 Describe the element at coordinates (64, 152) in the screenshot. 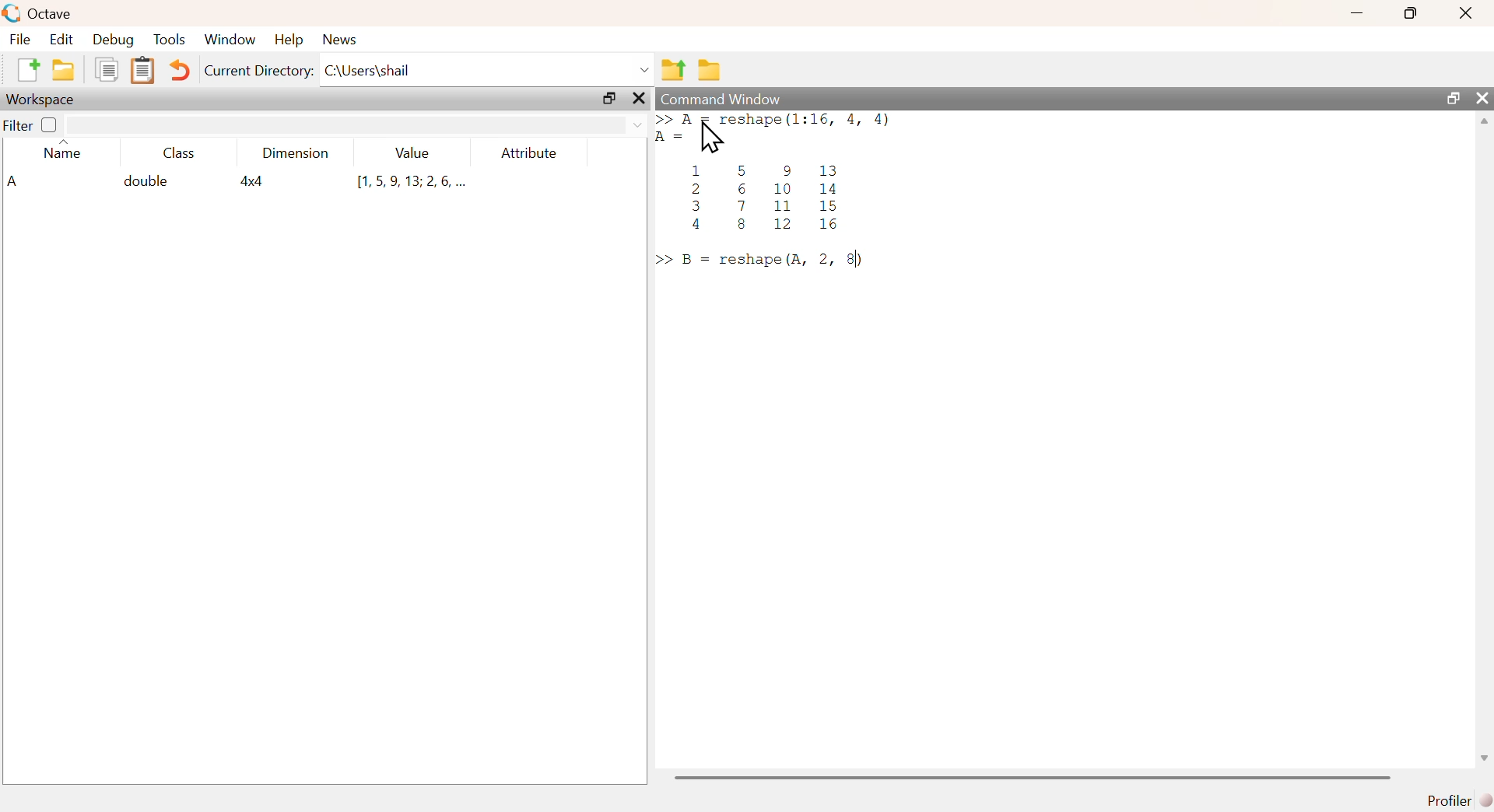

I see `name` at that location.